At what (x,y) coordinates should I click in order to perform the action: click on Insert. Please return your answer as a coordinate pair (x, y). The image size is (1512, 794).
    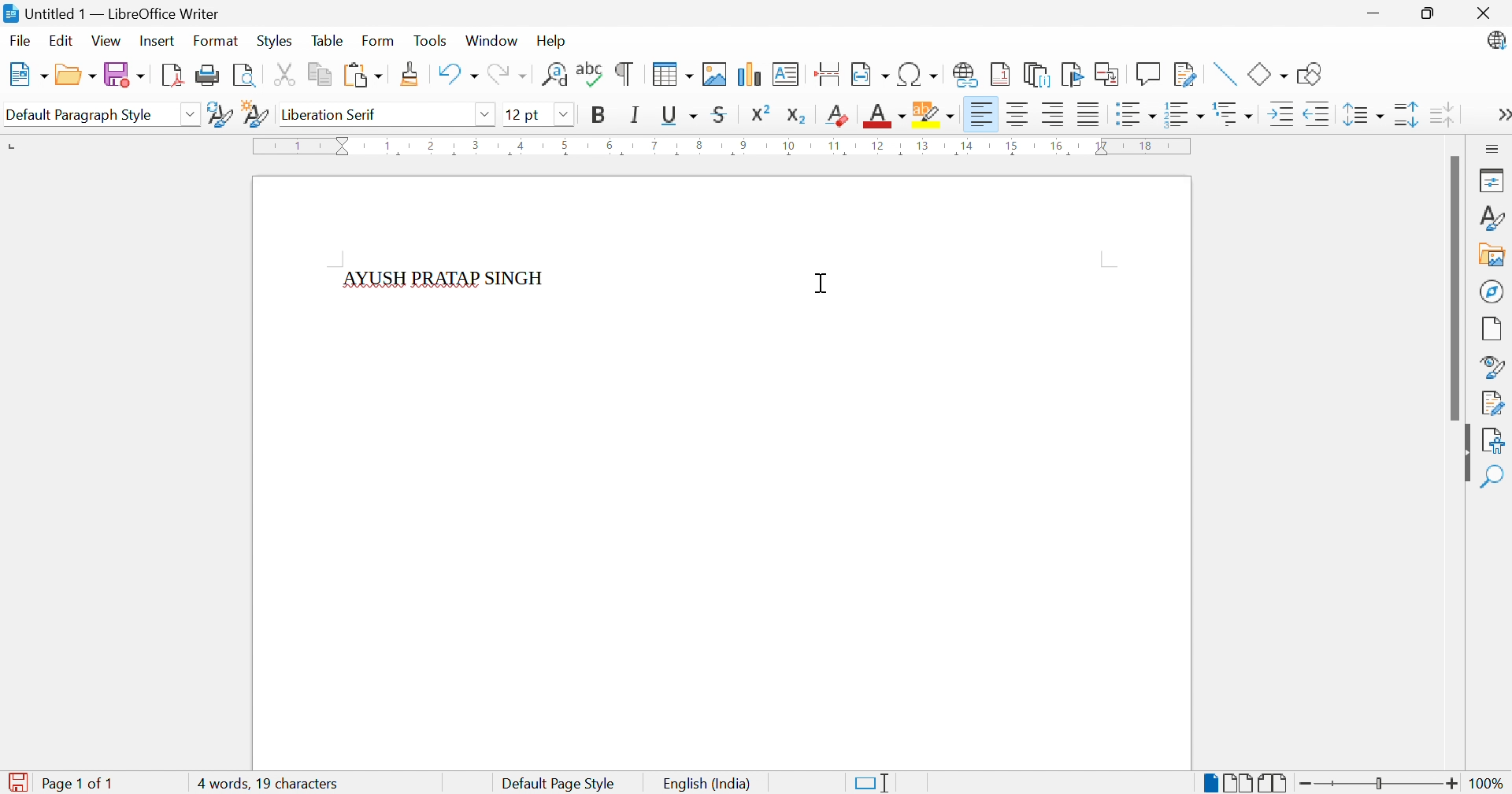
    Looking at the image, I should click on (159, 39).